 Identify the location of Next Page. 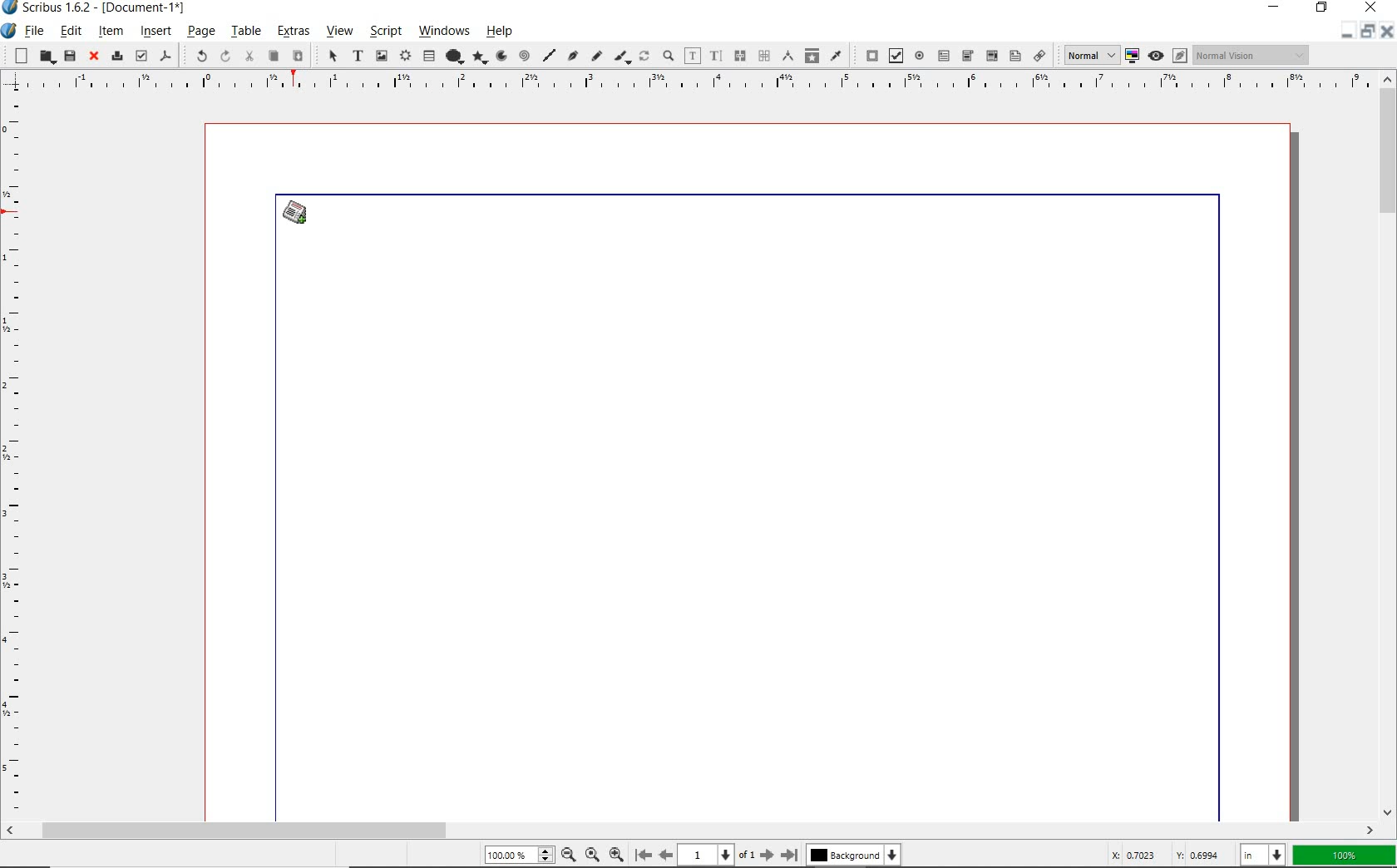
(768, 856).